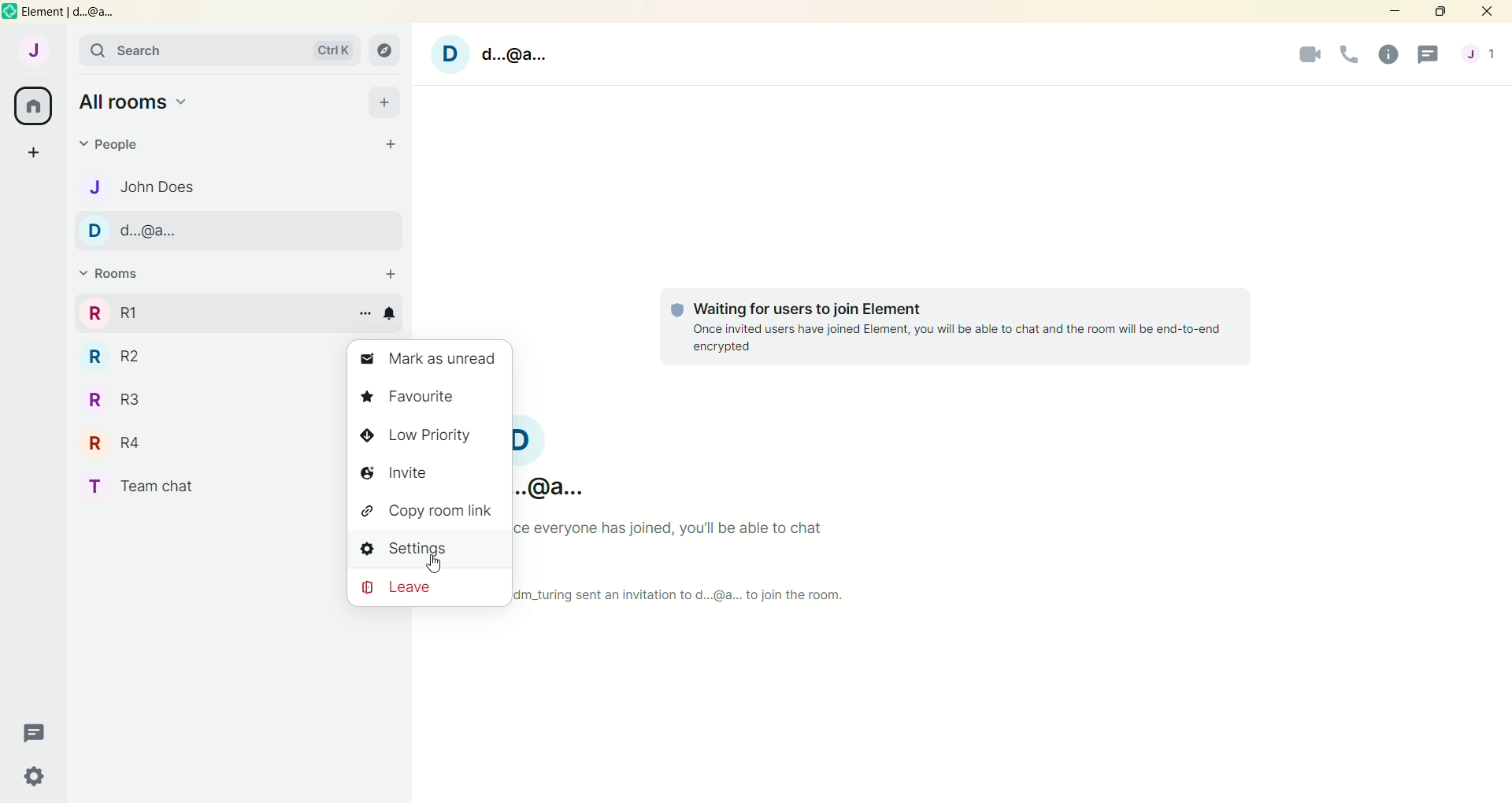  What do you see at coordinates (126, 404) in the screenshot?
I see `R R3` at bounding box center [126, 404].